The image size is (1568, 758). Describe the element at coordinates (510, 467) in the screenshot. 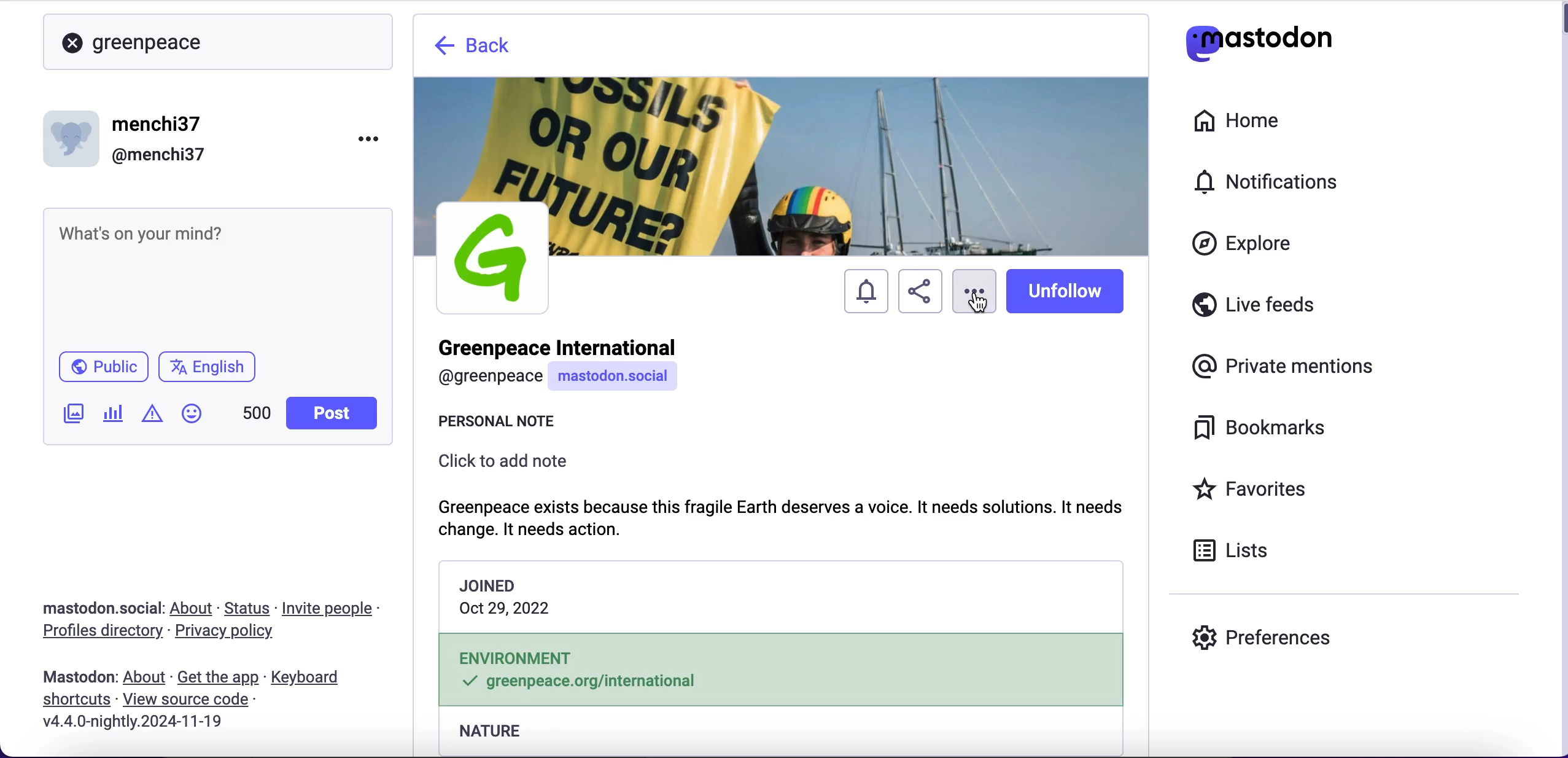

I see `click to add note` at that location.